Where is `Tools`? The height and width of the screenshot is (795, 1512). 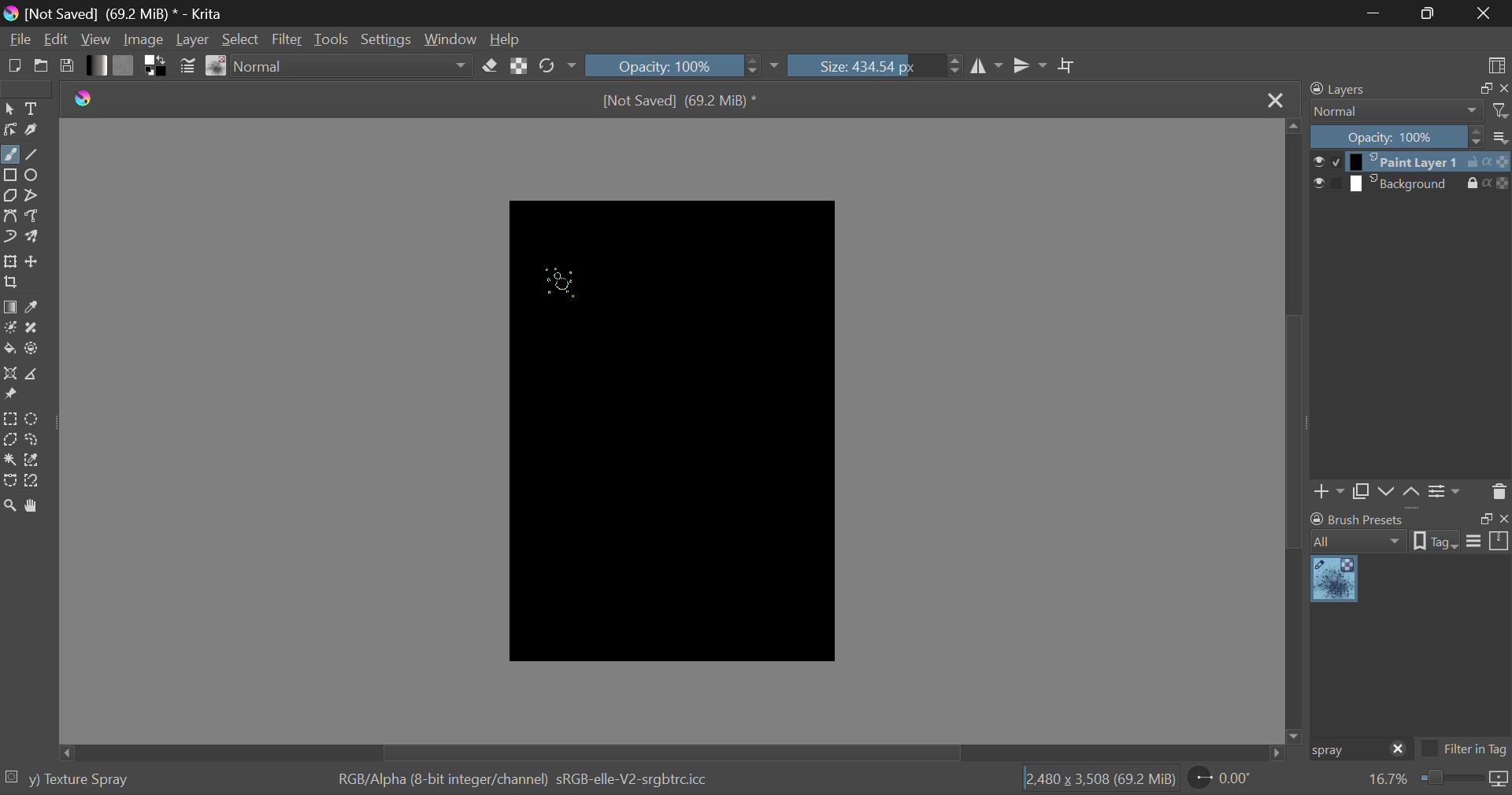
Tools is located at coordinates (334, 39).